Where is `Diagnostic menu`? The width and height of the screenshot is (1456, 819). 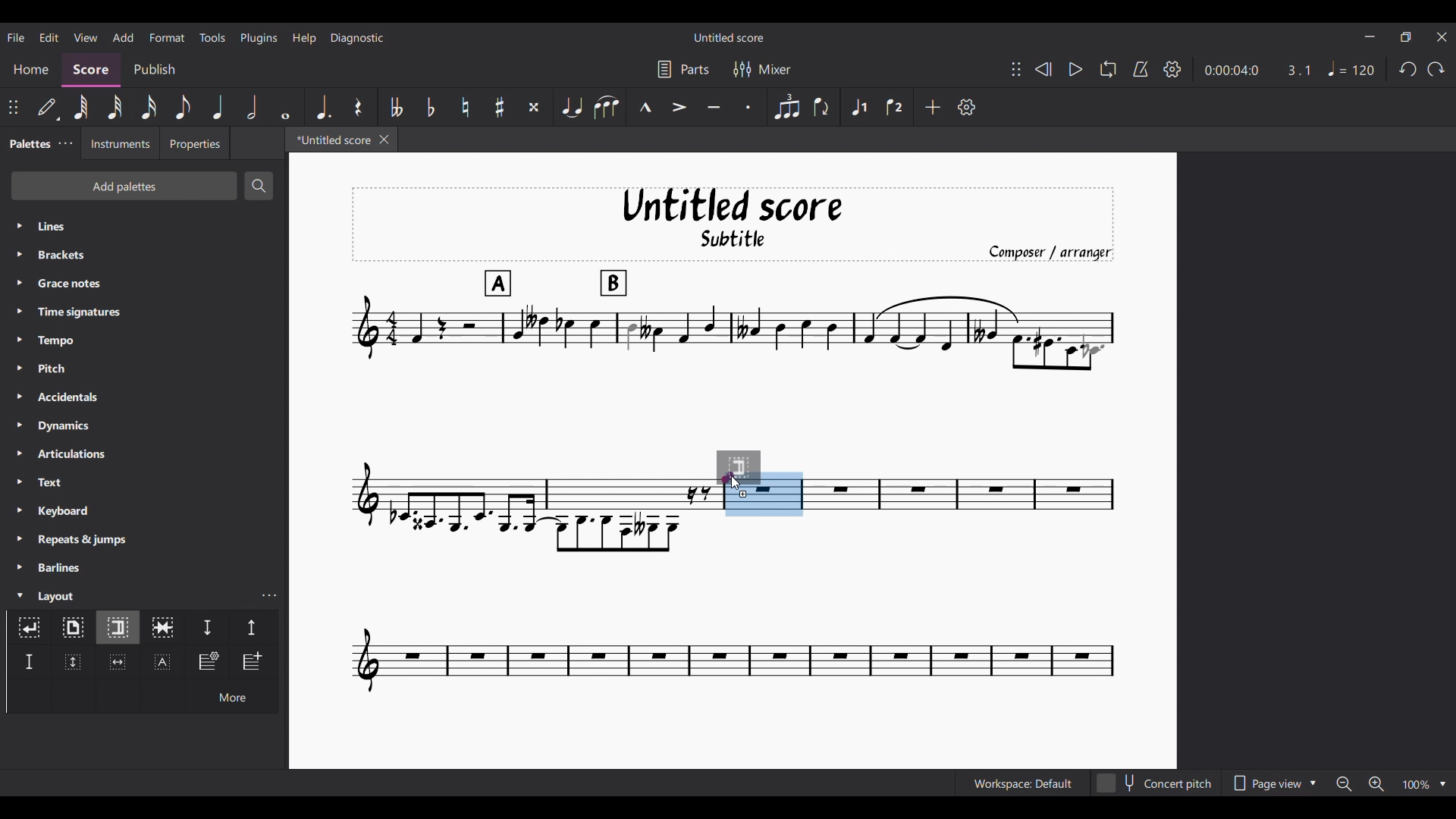
Diagnostic menu is located at coordinates (358, 38).